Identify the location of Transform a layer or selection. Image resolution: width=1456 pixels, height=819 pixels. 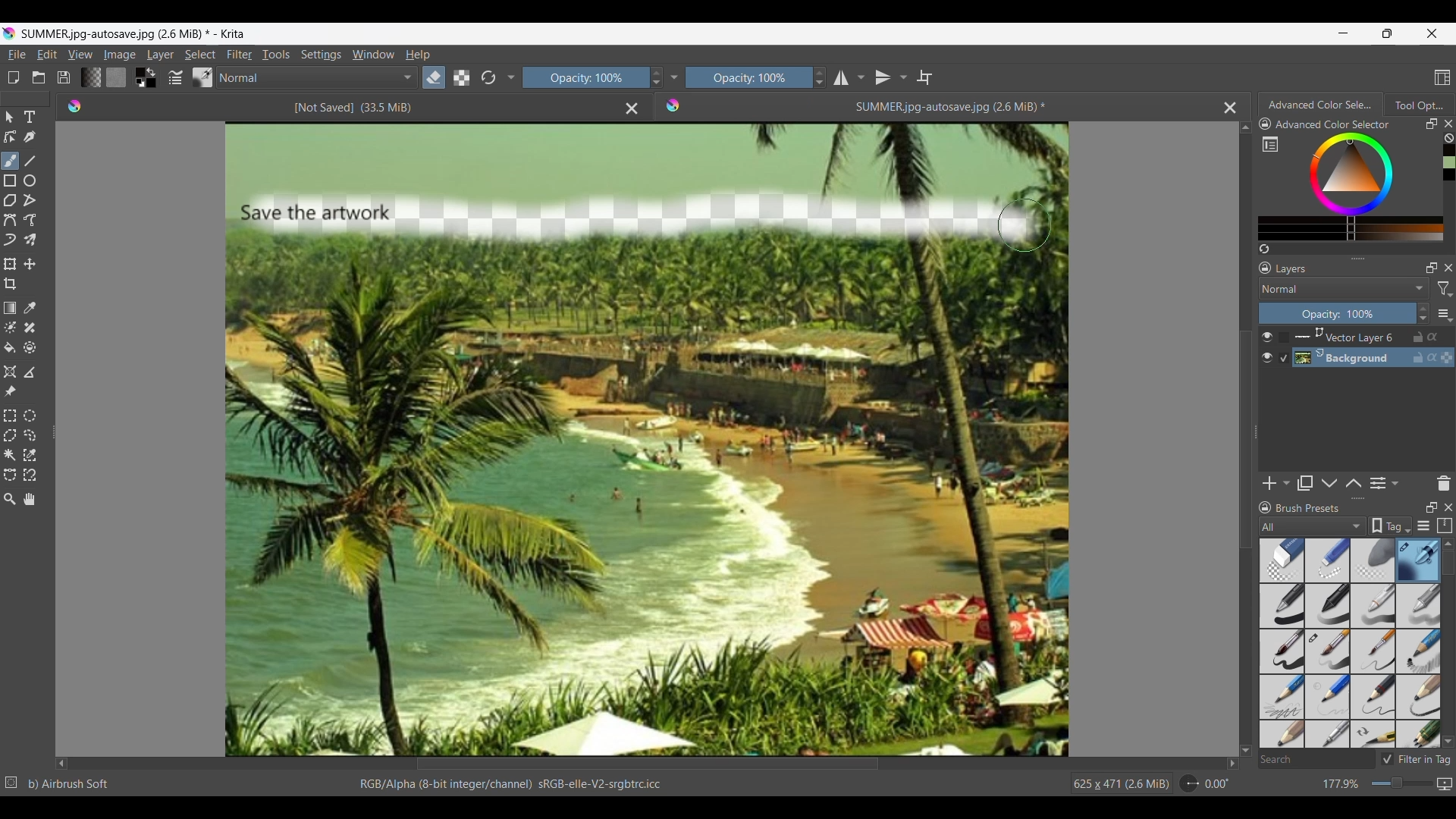
(11, 264).